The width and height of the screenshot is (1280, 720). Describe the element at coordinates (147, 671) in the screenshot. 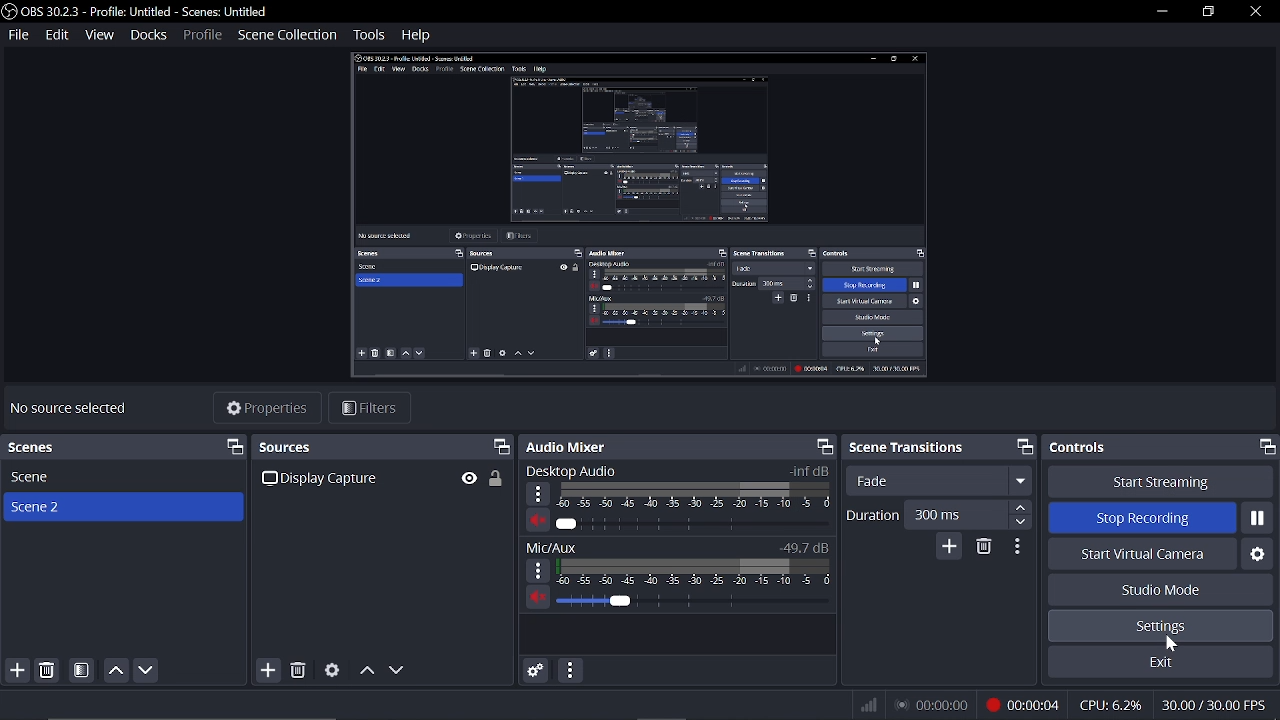

I see `move scene down` at that location.